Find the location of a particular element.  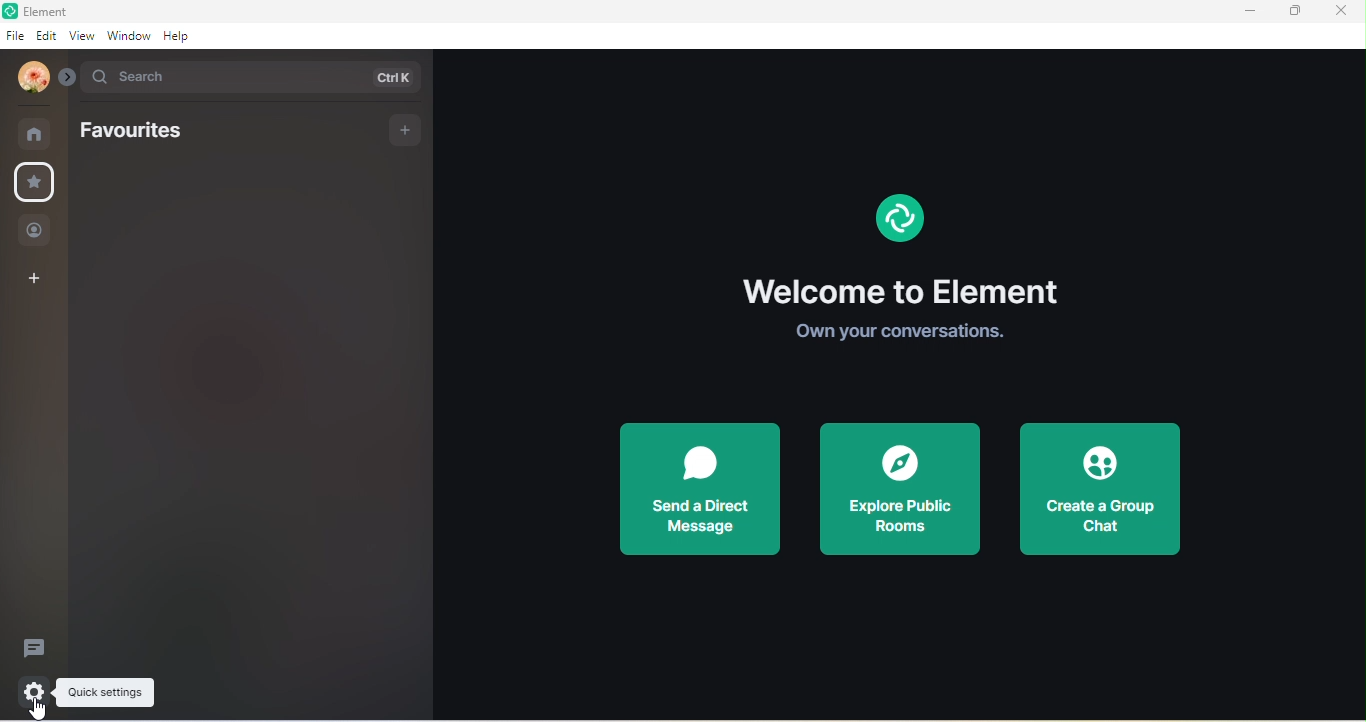

quick settings is located at coordinates (28, 691).